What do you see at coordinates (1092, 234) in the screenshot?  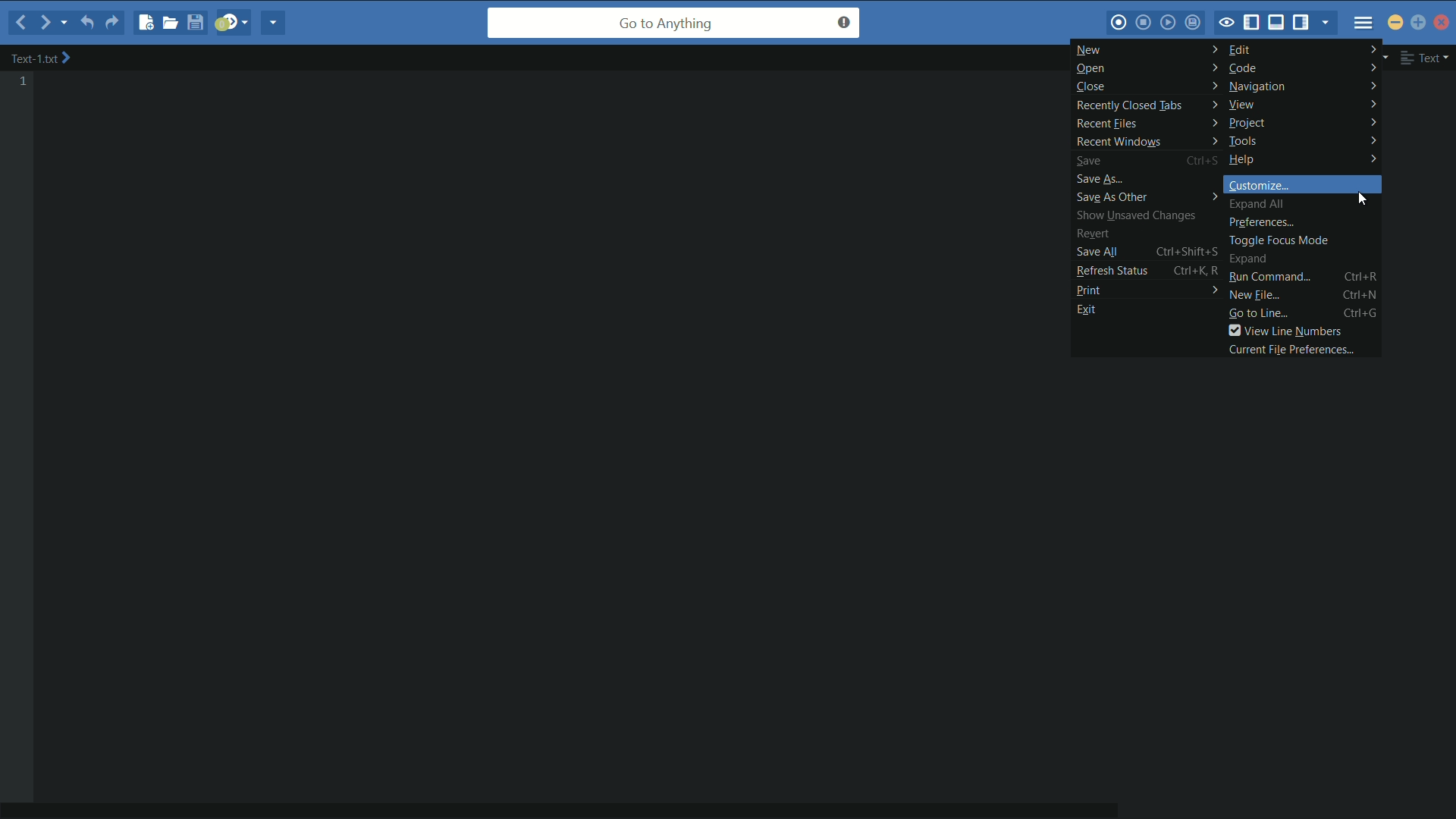 I see `revert` at bounding box center [1092, 234].